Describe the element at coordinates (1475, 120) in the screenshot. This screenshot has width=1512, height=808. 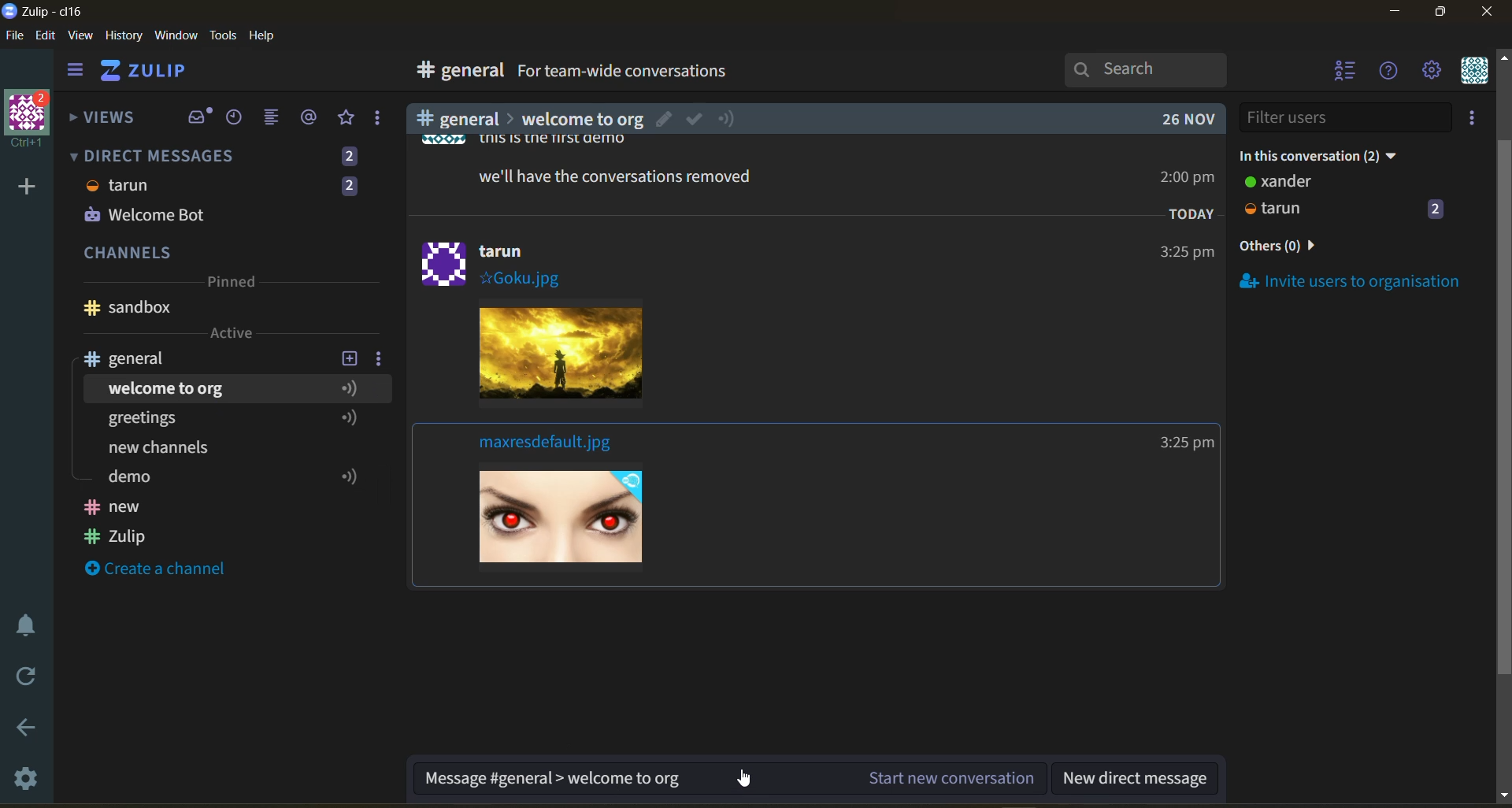
I see `invite users to organisation` at that location.